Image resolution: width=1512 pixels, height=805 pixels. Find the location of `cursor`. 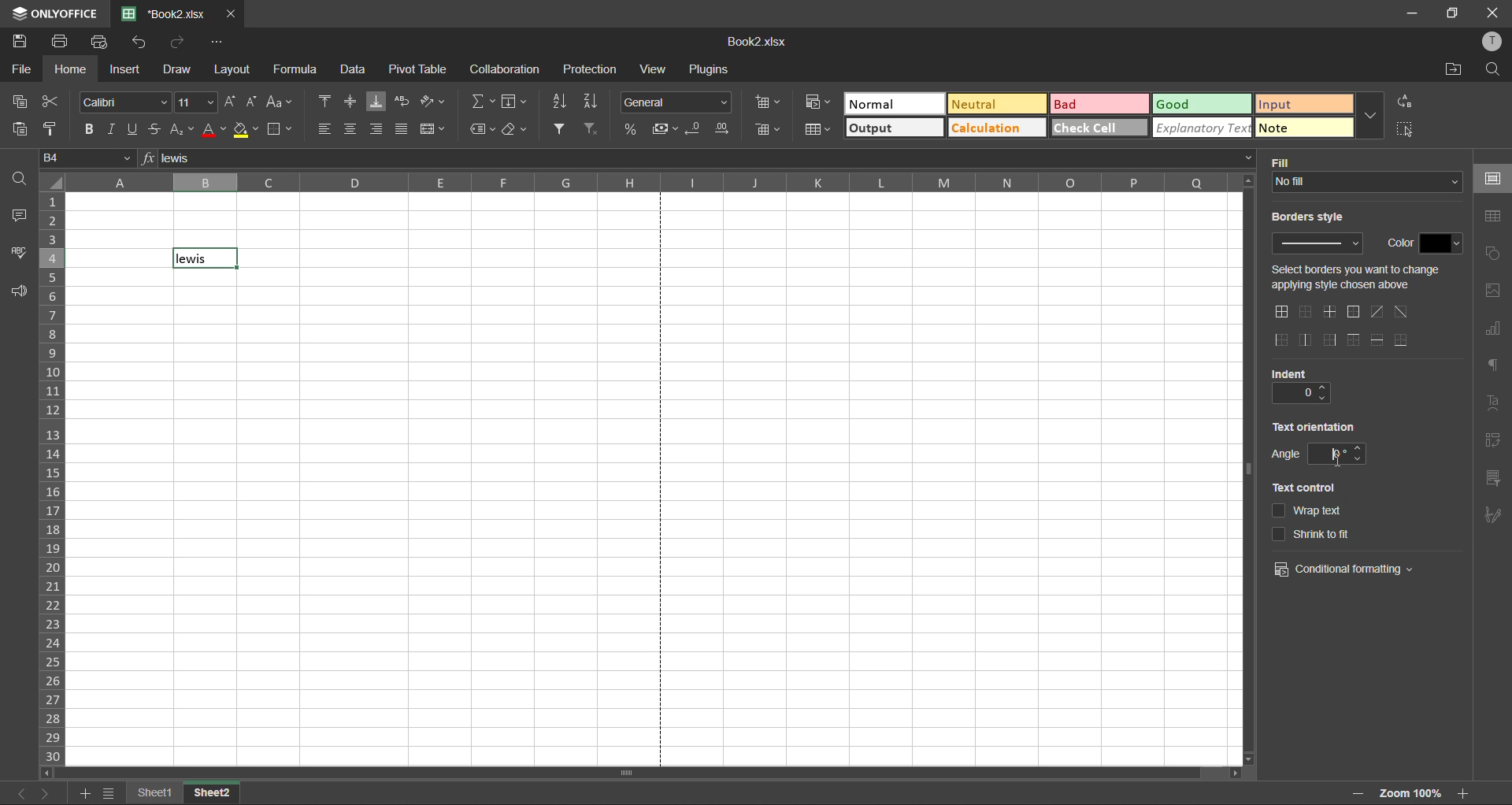

cursor is located at coordinates (1340, 457).